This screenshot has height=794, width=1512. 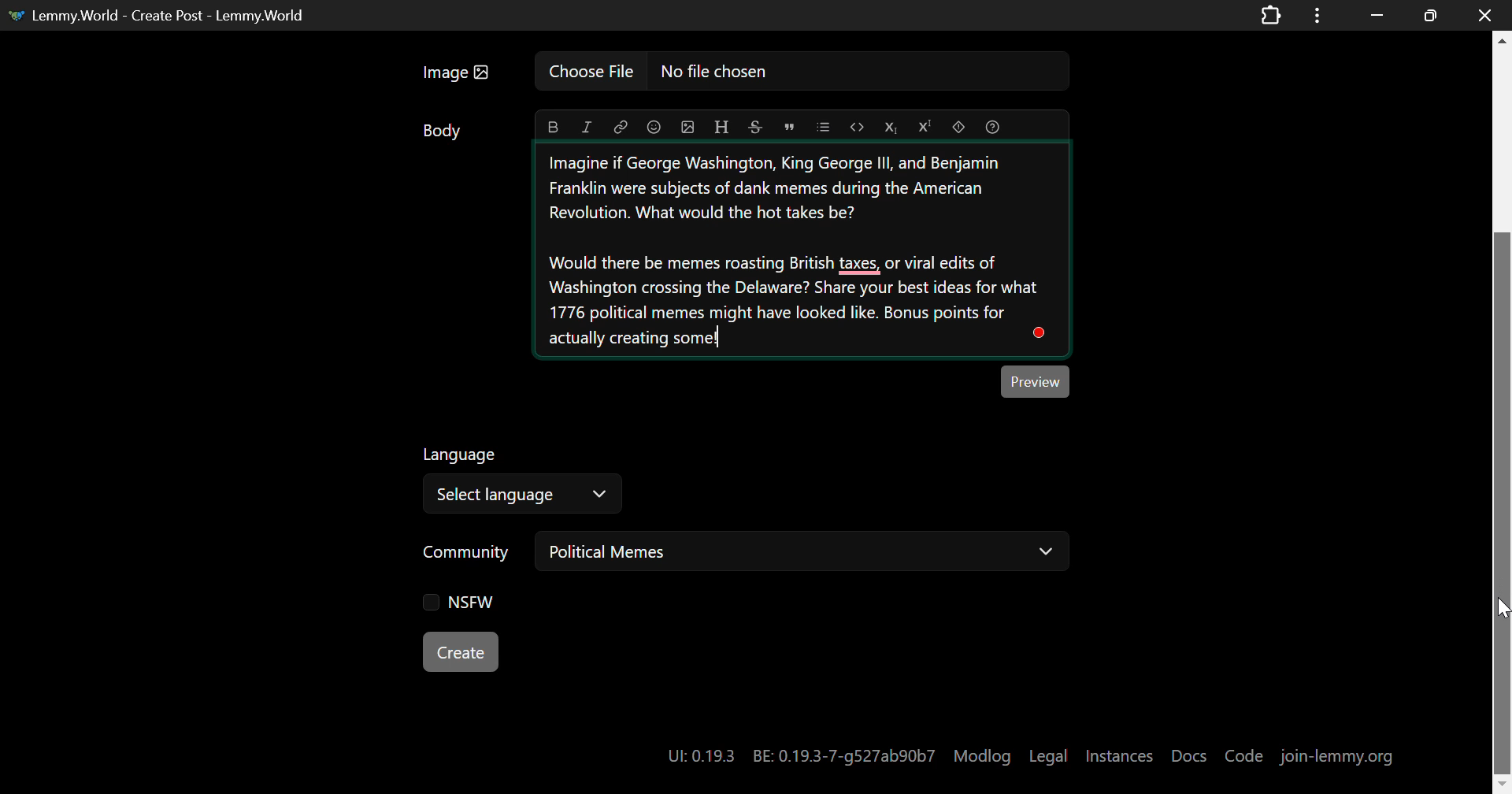 What do you see at coordinates (1272, 14) in the screenshot?
I see `Extensions` at bounding box center [1272, 14].